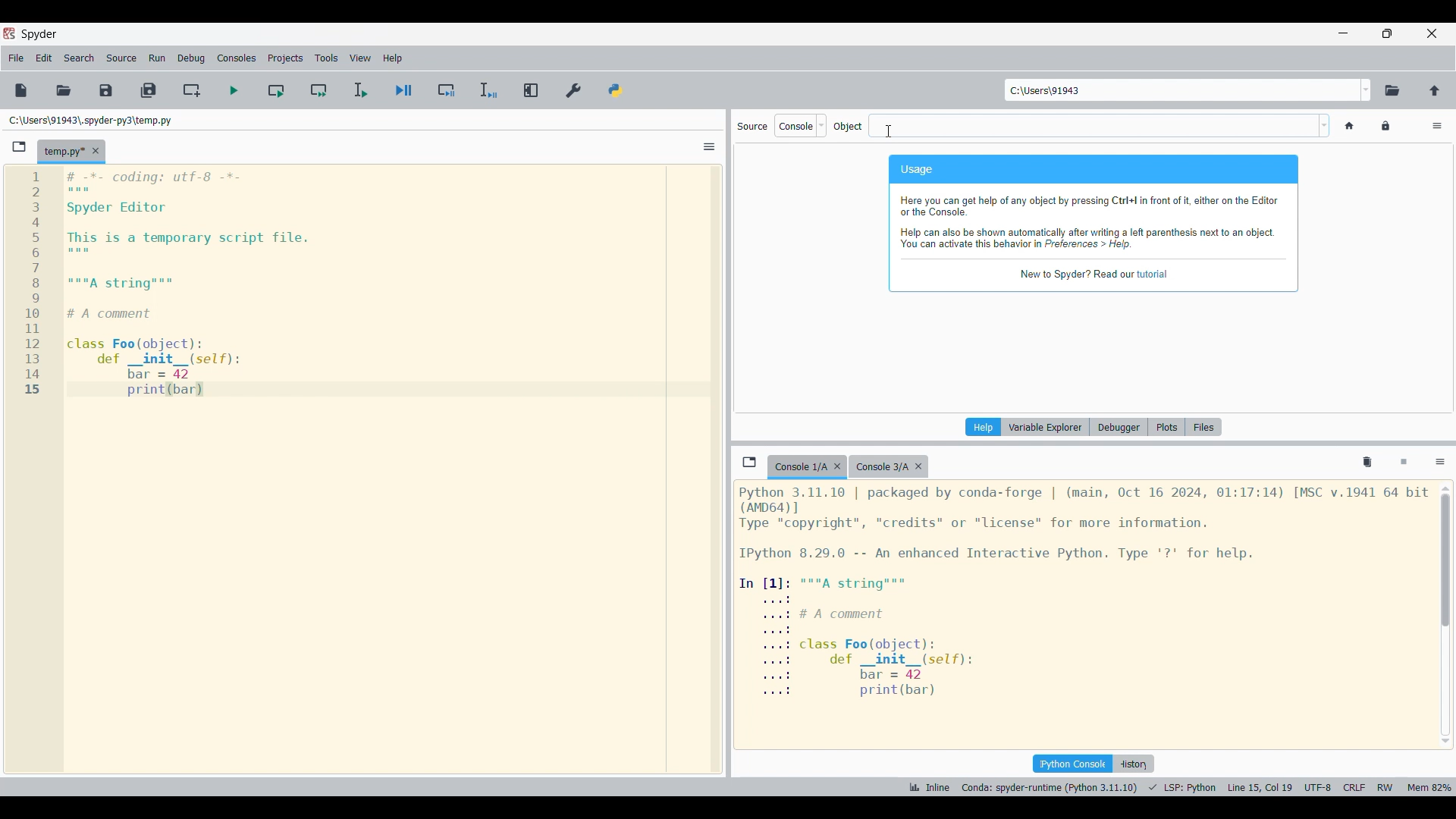  What do you see at coordinates (1262, 786) in the screenshot?
I see `line 15 col 9` at bounding box center [1262, 786].